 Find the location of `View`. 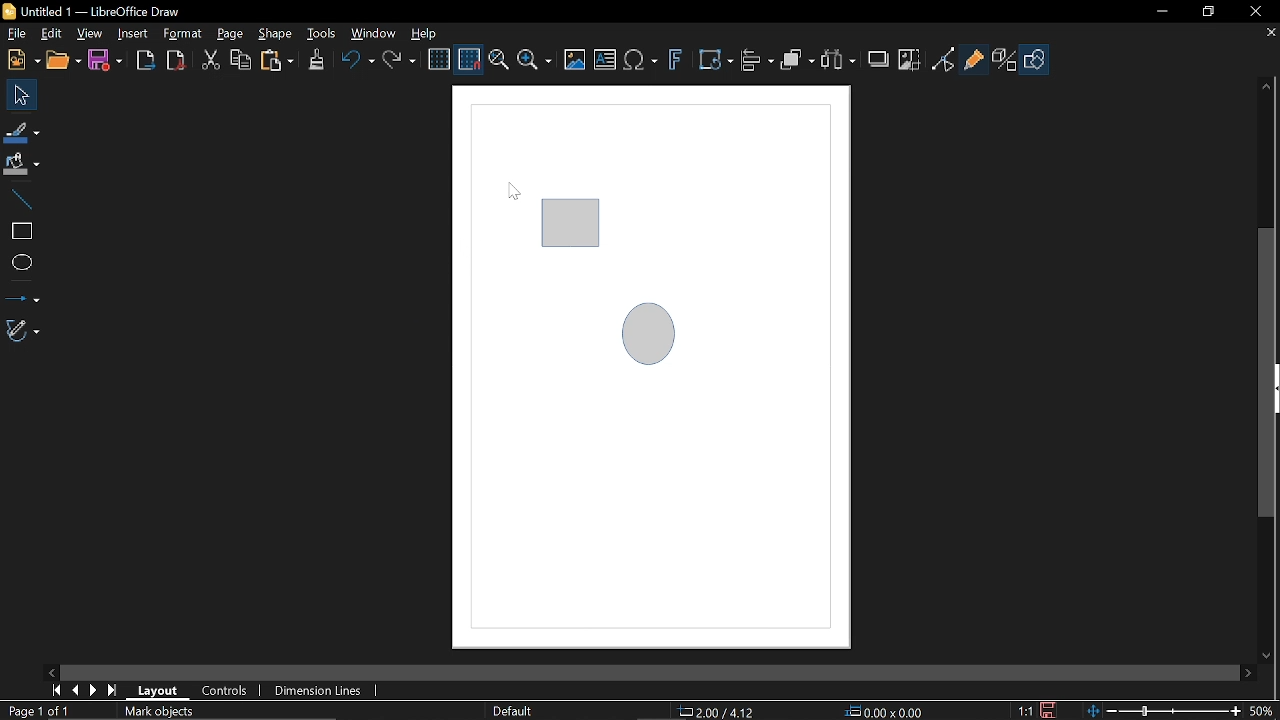

View is located at coordinates (89, 34).